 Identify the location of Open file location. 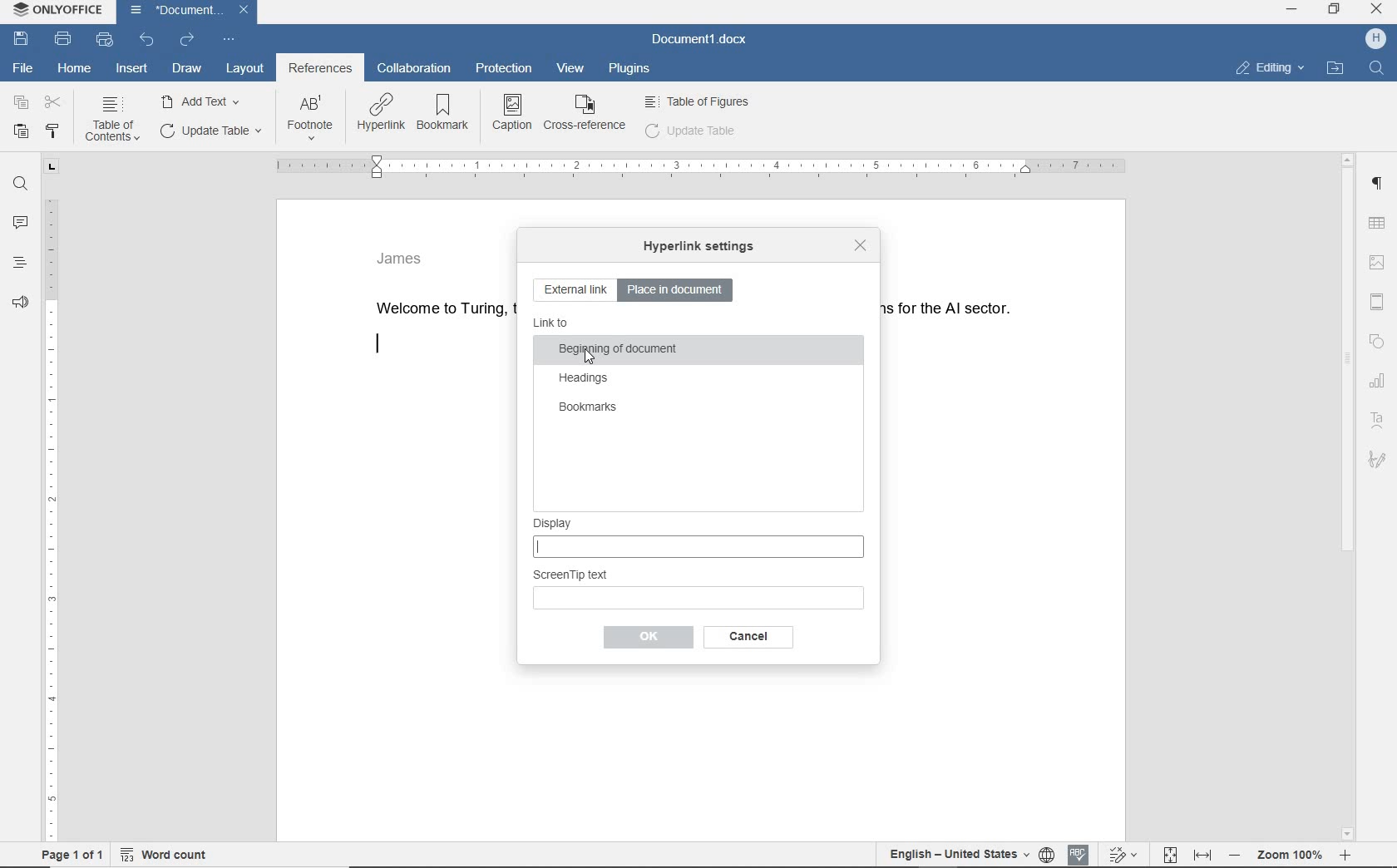
(1340, 65).